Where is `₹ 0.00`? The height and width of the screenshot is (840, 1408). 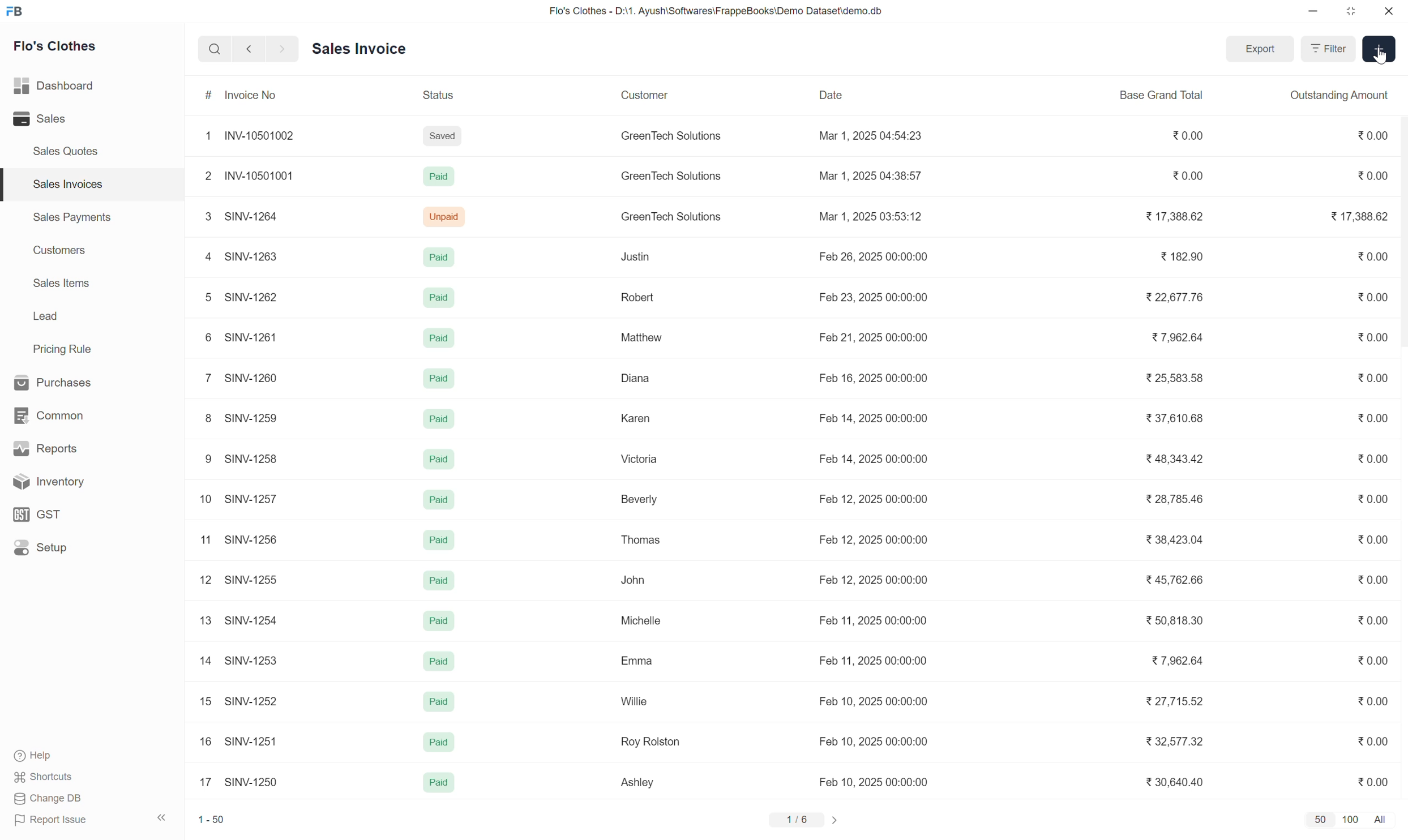
₹ 0.00 is located at coordinates (1371, 378).